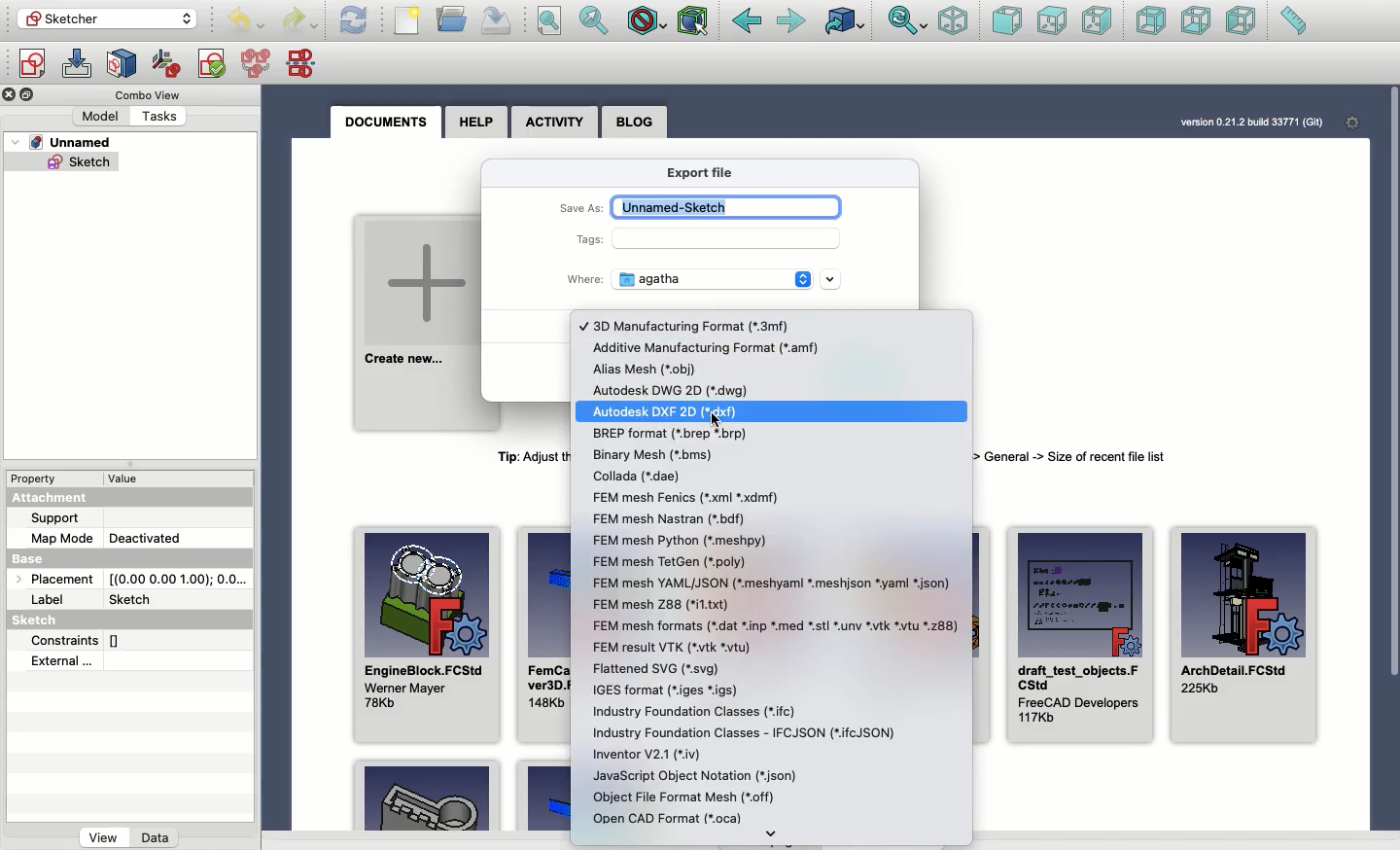 Image resolution: width=1400 pixels, height=850 pixels. I want to click on rfc, so click(698, 713).